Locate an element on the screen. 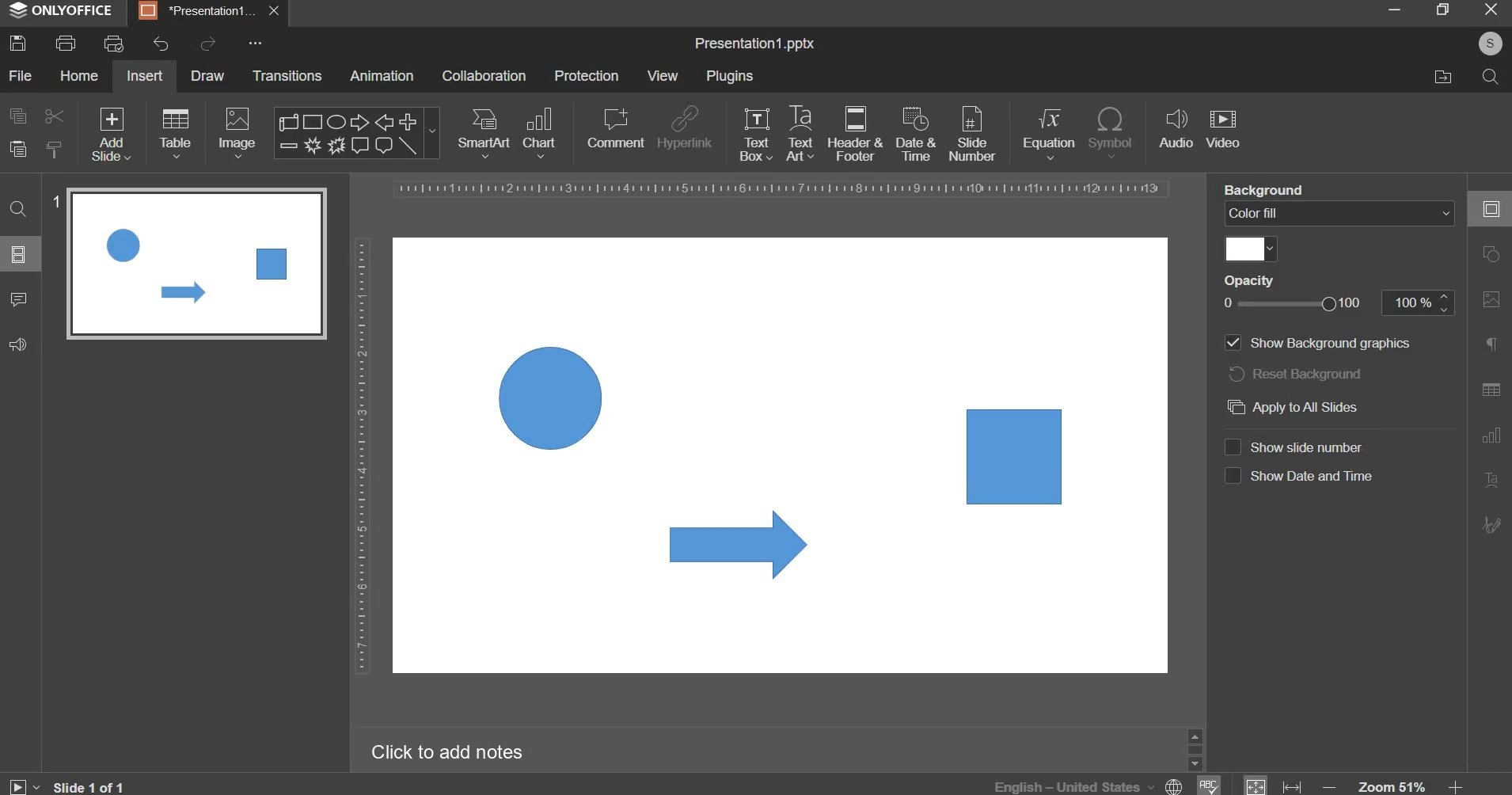  shape setting is located at coordinates (1492, 252).